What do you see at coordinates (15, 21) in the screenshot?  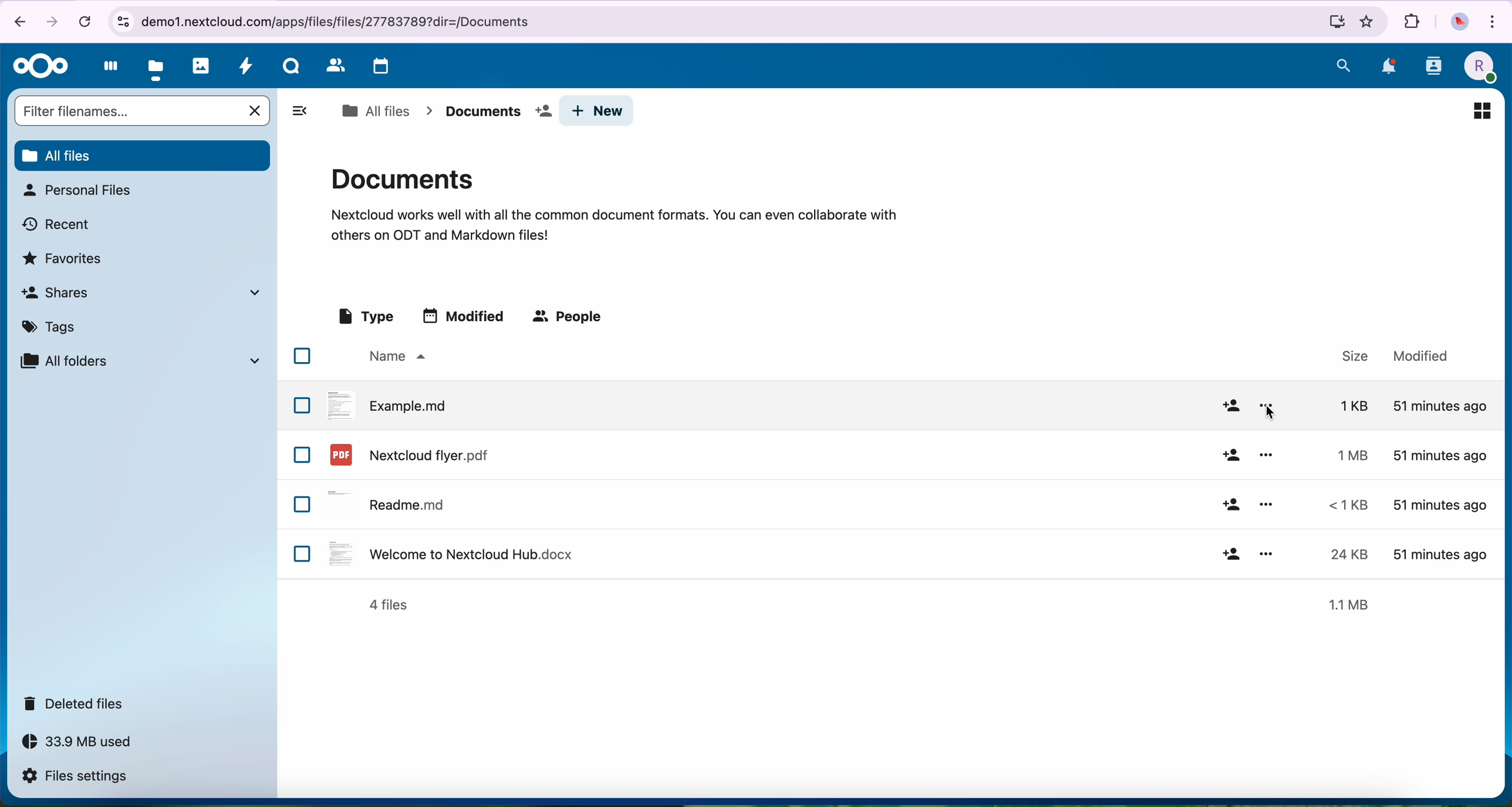 I see `navigate back` at bounding box center [15, 21].